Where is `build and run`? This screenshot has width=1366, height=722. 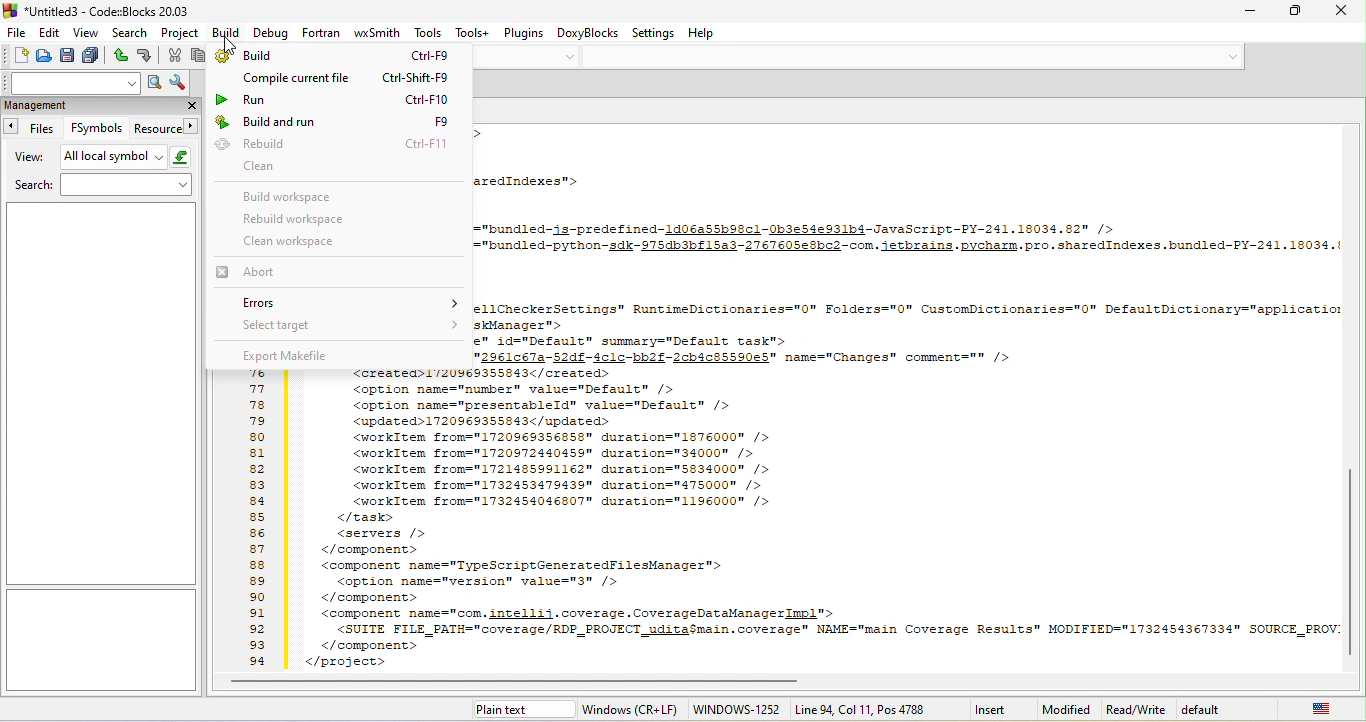
build and run is located at coordinates (332, 121).